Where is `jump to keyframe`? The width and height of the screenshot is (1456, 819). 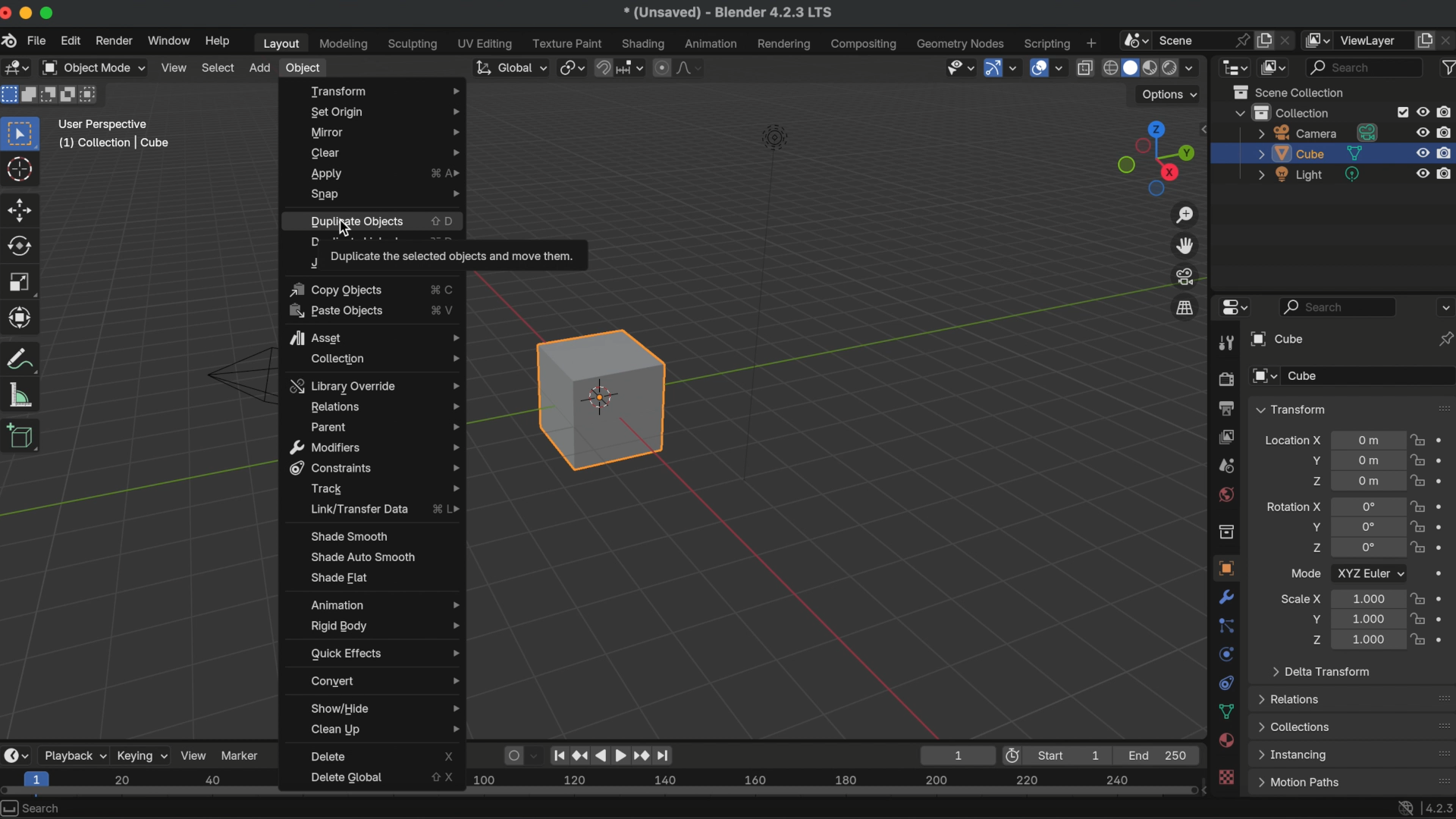 jump to keyframe is located at coordinates (581, 752).